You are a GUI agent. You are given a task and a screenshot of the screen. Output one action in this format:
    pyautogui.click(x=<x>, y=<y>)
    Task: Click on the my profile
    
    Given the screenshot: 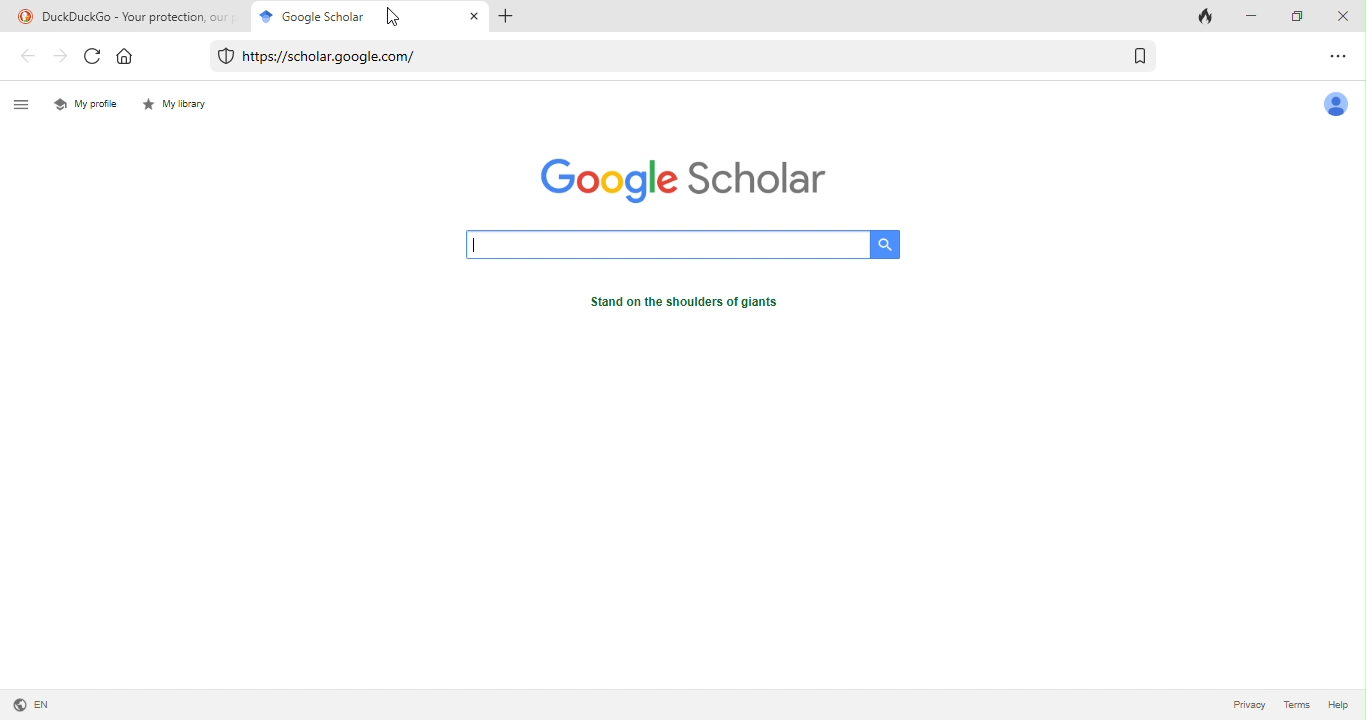 What is the action you would take?
    pyautogui.click(x=86, y=103)
    